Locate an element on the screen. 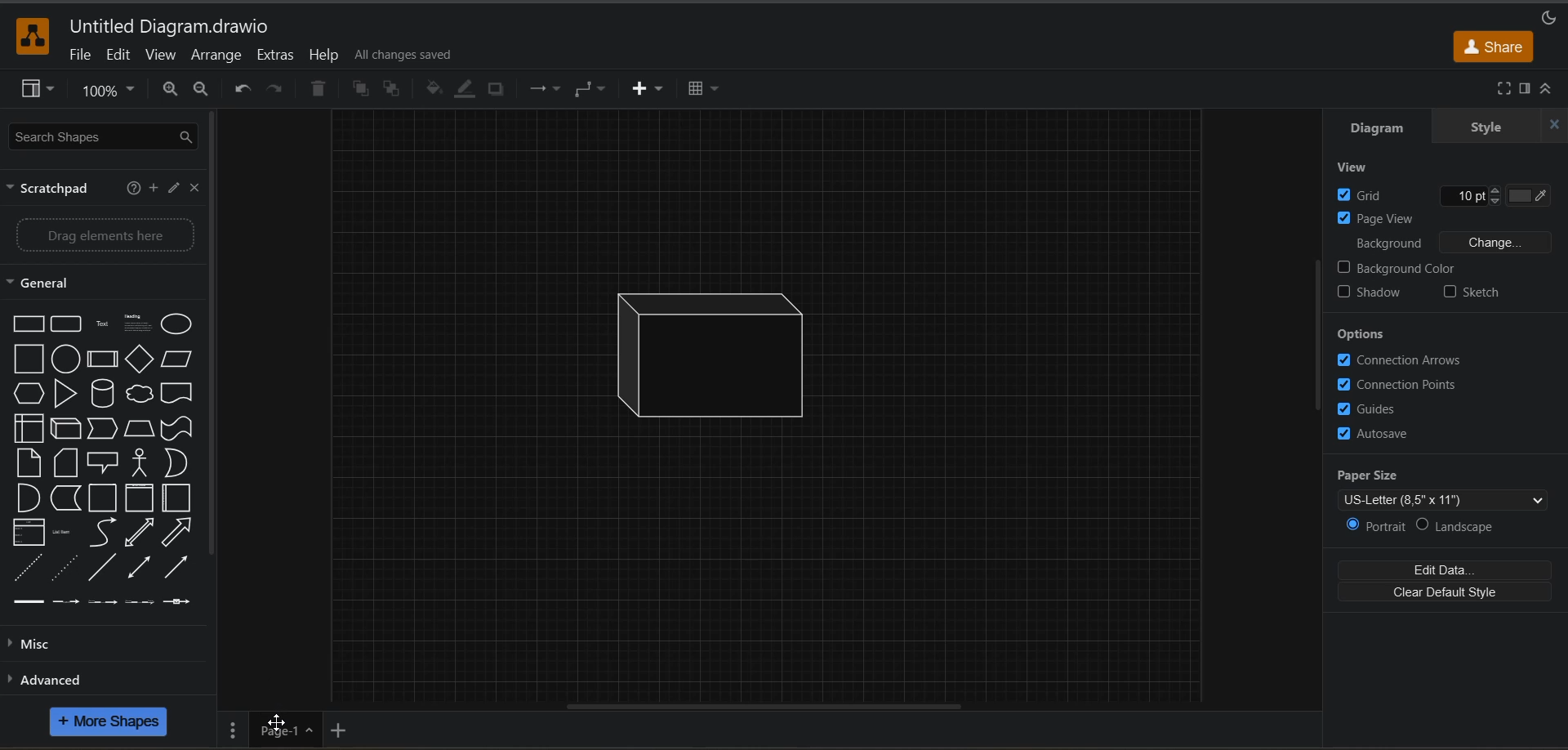 Image resolution: width=1568 pixels, height=750 pixels. arrange is located at coordinates (221, 57).